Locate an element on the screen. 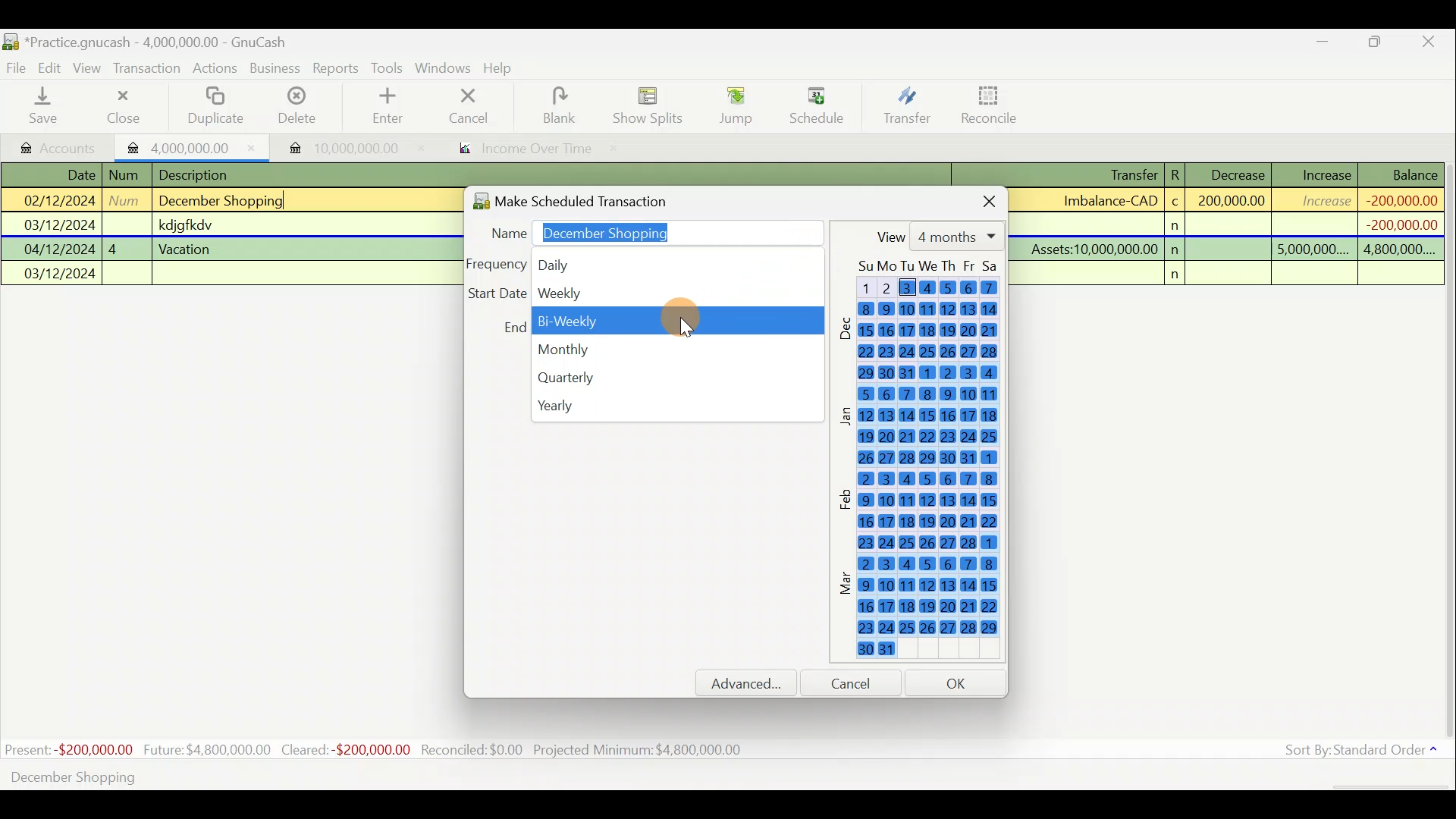 The image size is (1456, 819). Duplicate is located at coordinates (212, 107).